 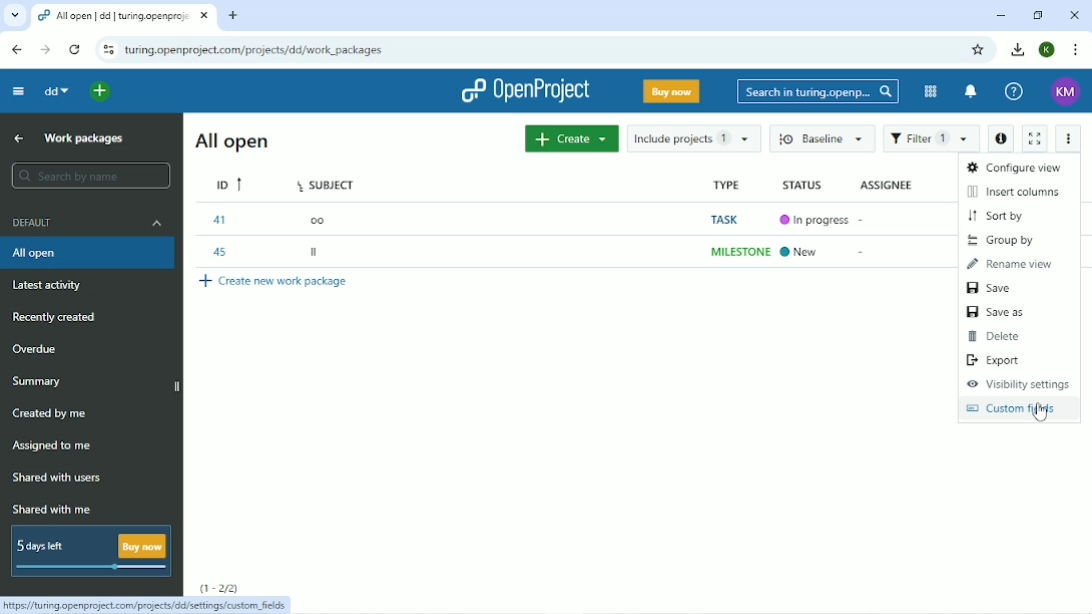 What do you see at coordinates (995, 360) in the screenshot?
I see `Export` at bounding box center [995, 360].